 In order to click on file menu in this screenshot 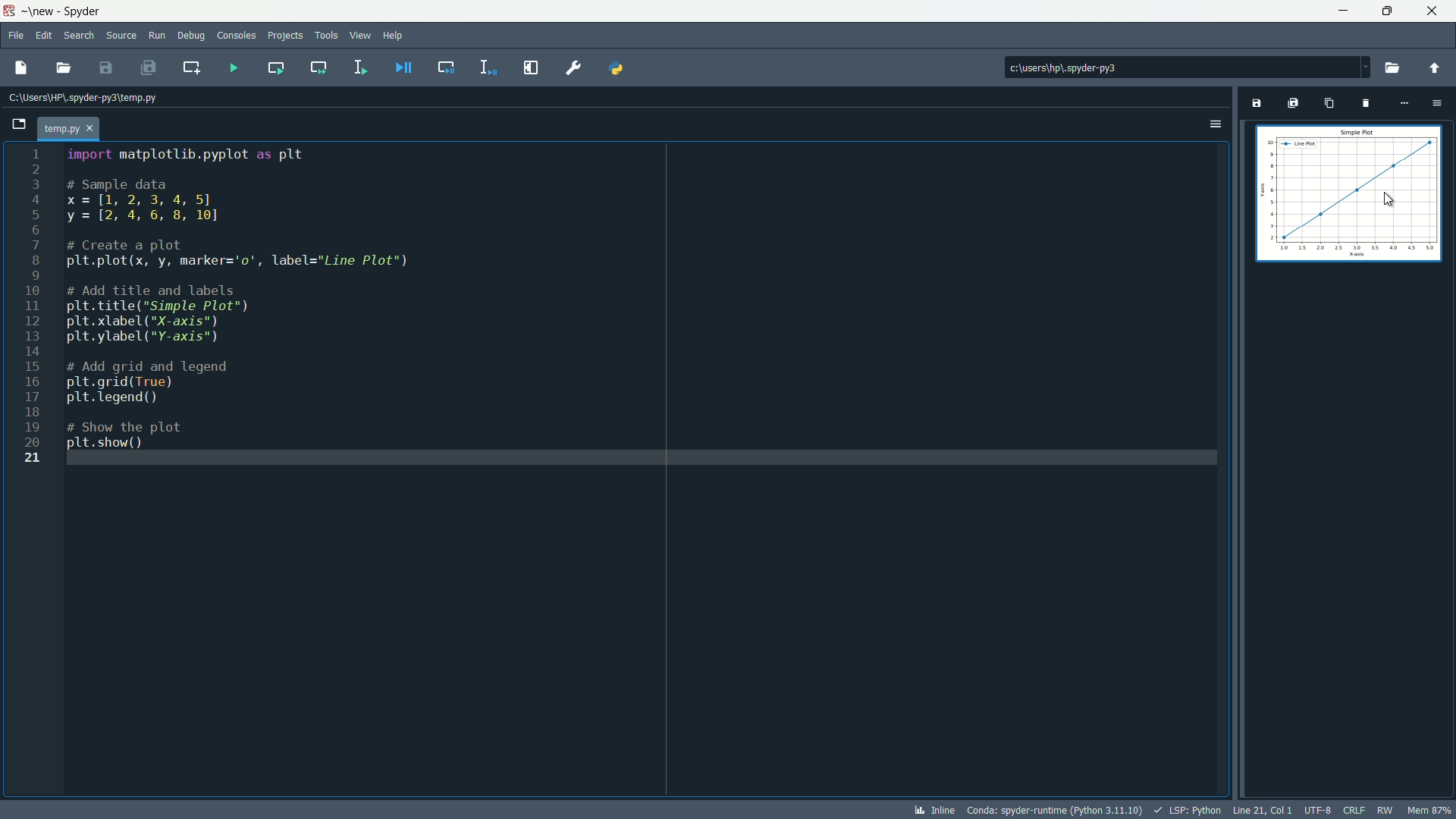, I will do `click(16, 35)`.